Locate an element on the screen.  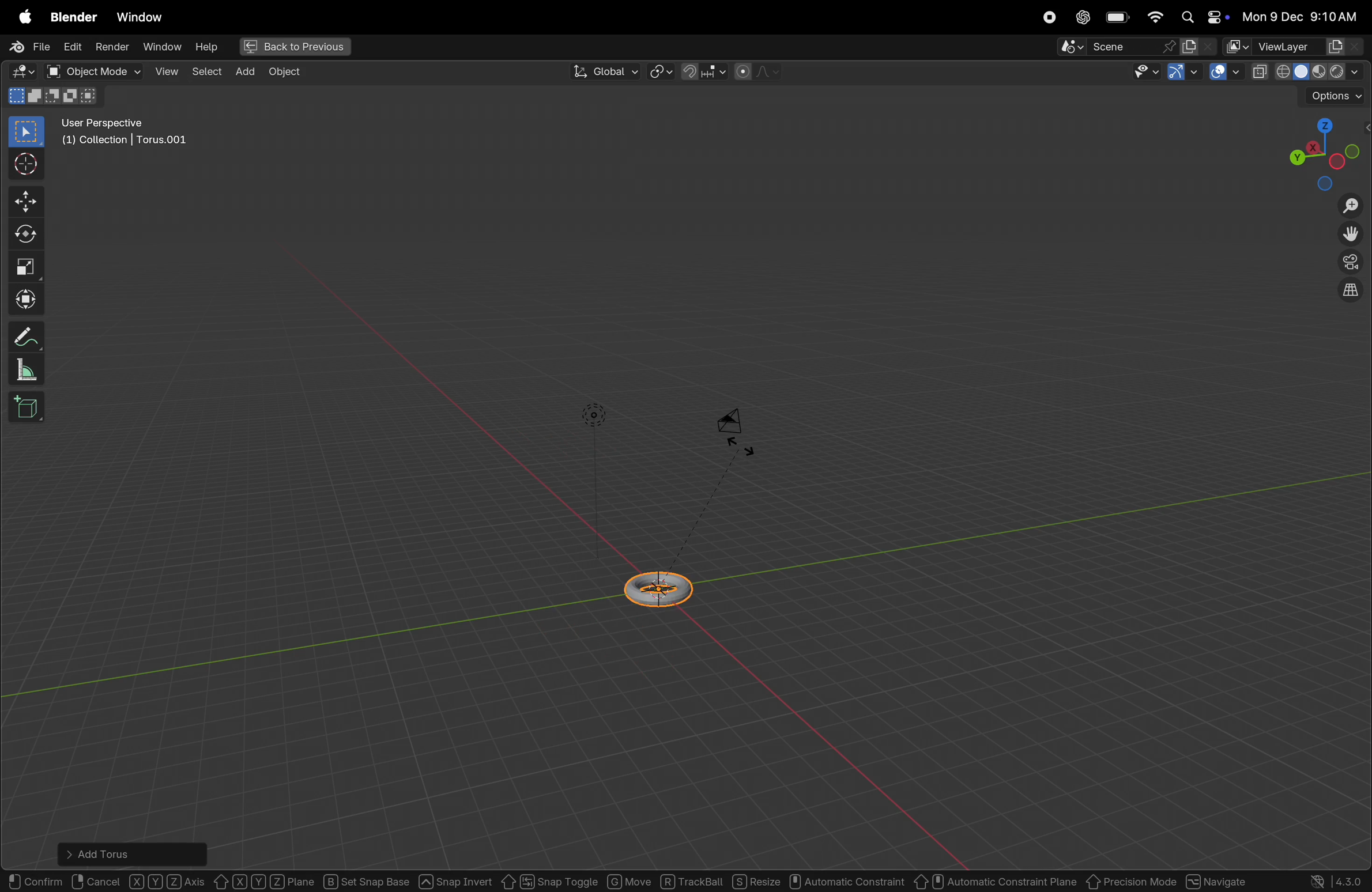
Set Snap Base is located at coordinates (367, 879).